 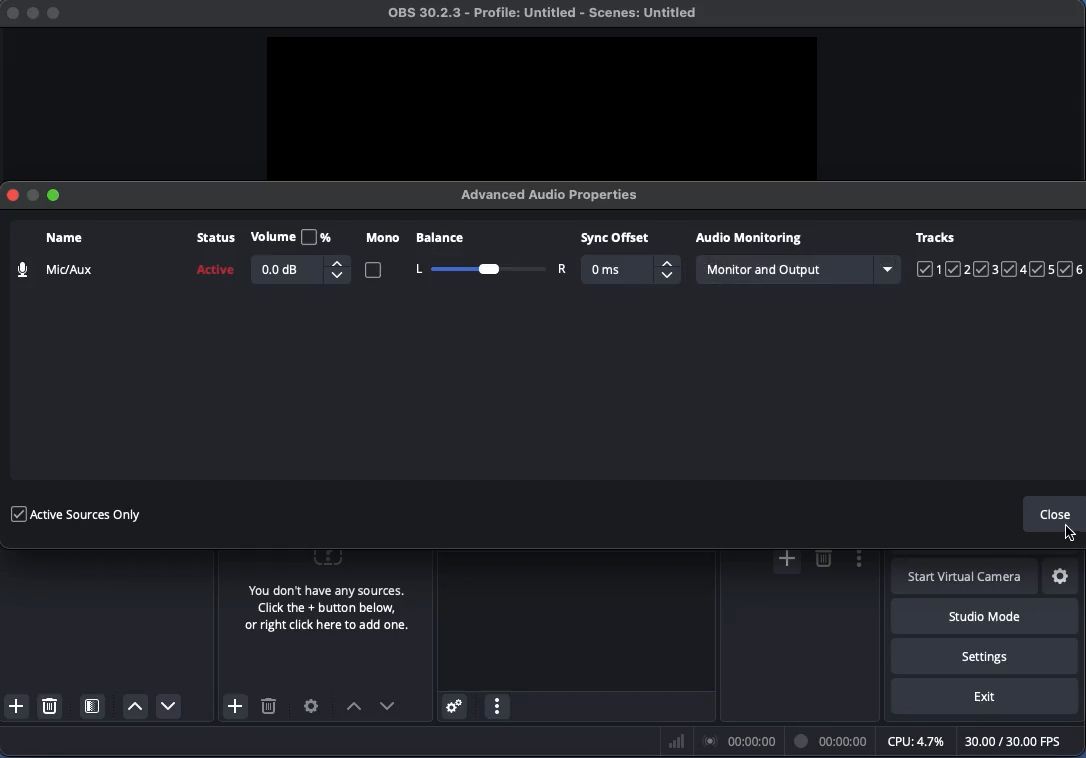 I want to click on Exit, so click(x=985, y=697).